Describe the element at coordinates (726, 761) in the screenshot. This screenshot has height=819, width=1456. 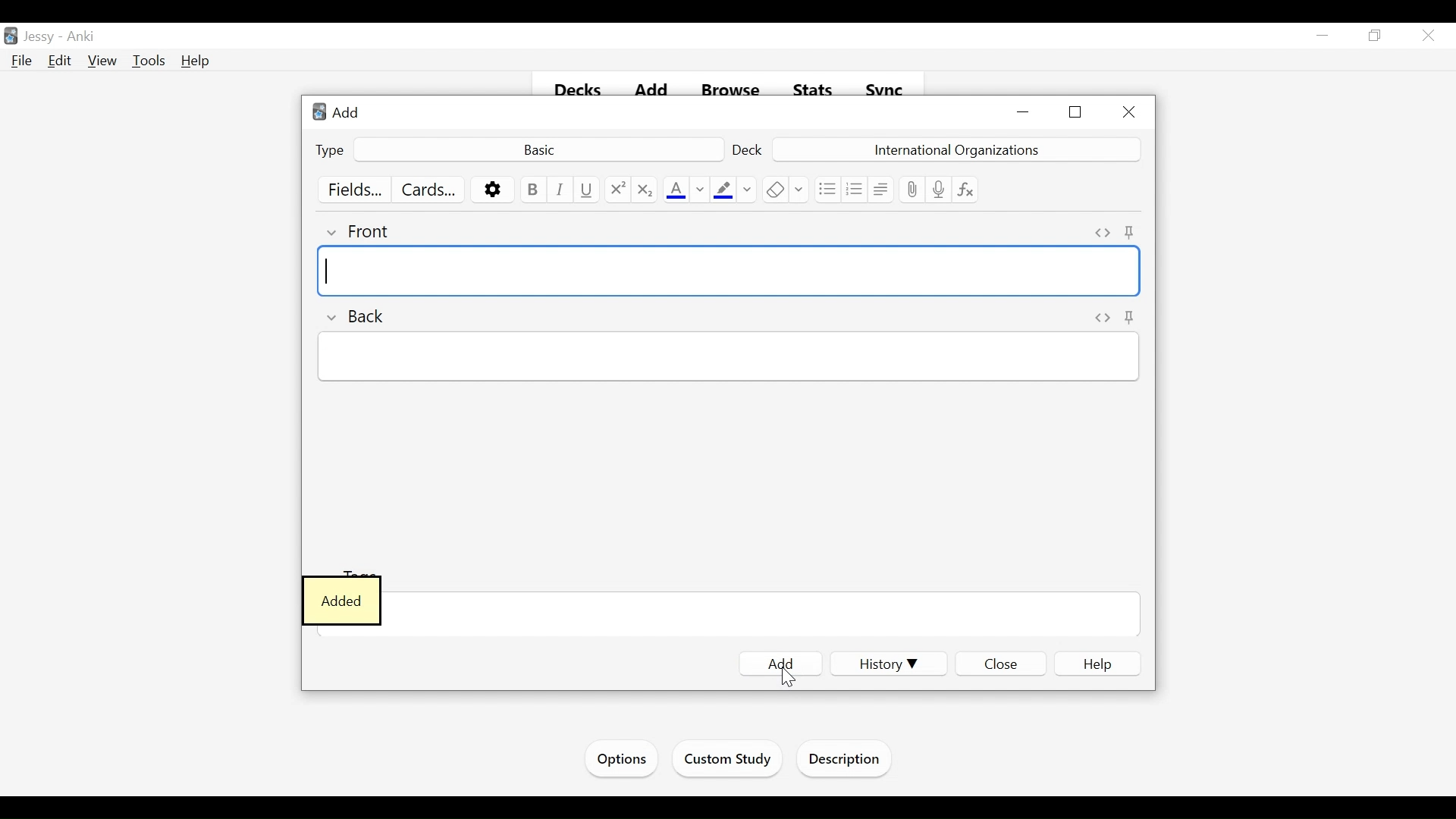
I see `Custom Study` at that location.